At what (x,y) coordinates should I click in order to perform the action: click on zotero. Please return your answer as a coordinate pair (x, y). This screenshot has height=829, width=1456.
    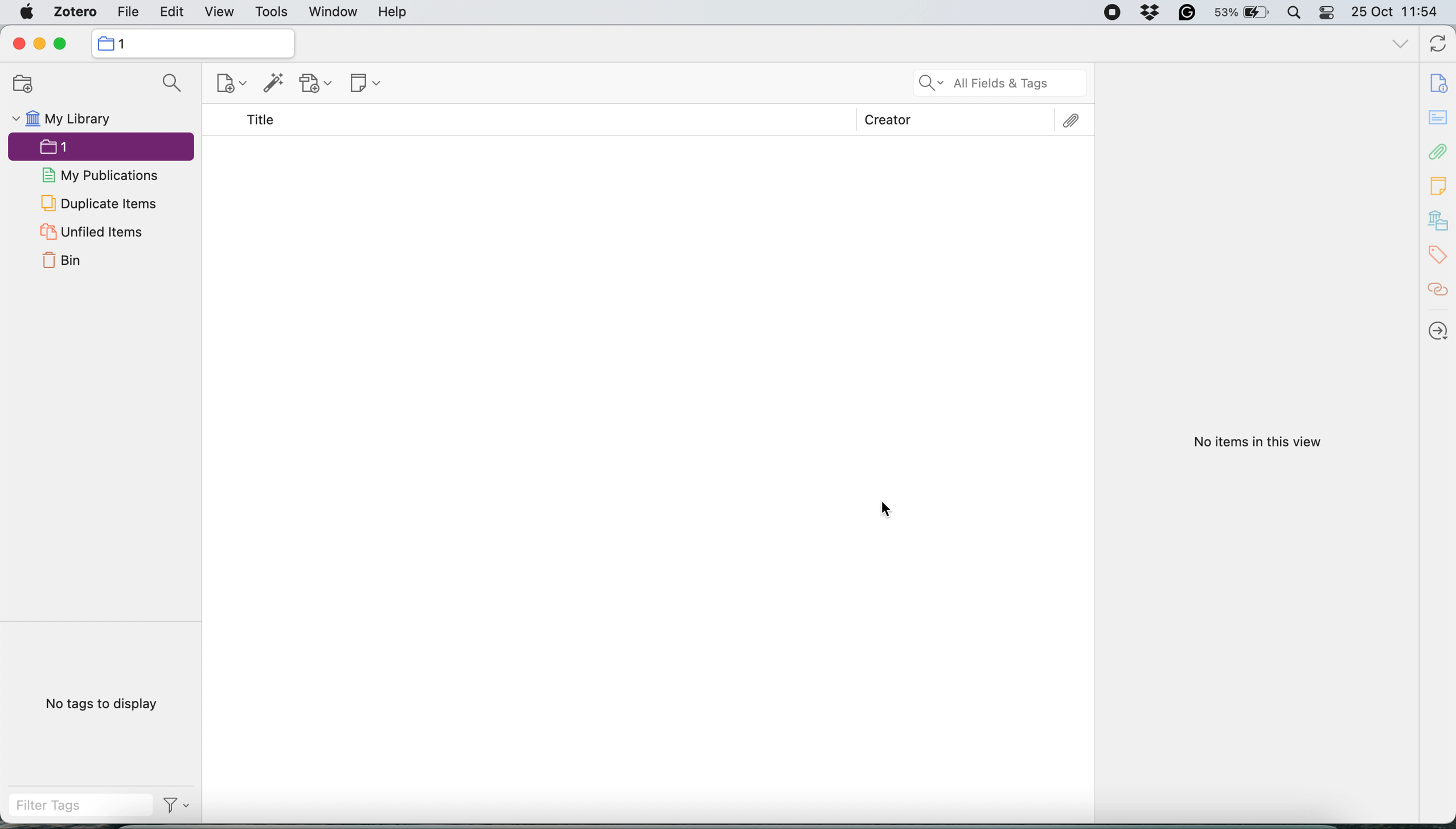
    Looking at the image, I should click on (75, 11).